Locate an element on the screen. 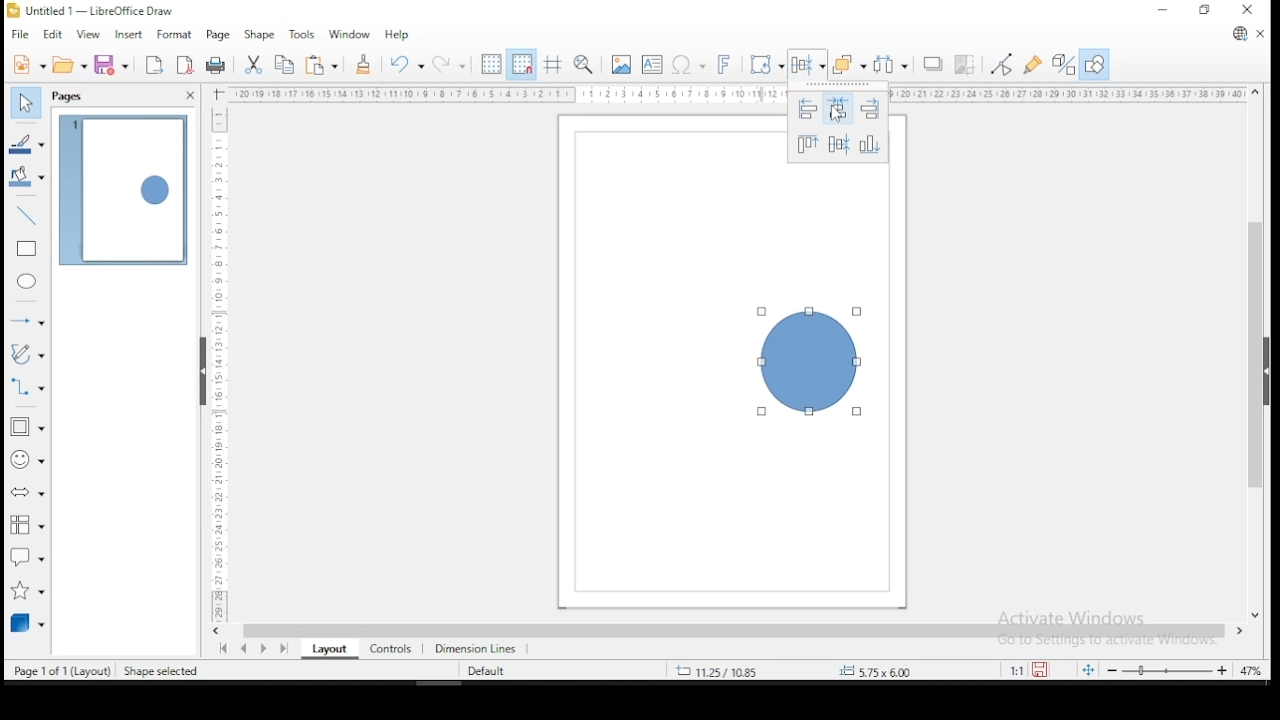 The image size is (1280, 720). scroll bar is located at coordinates (1256, 352).